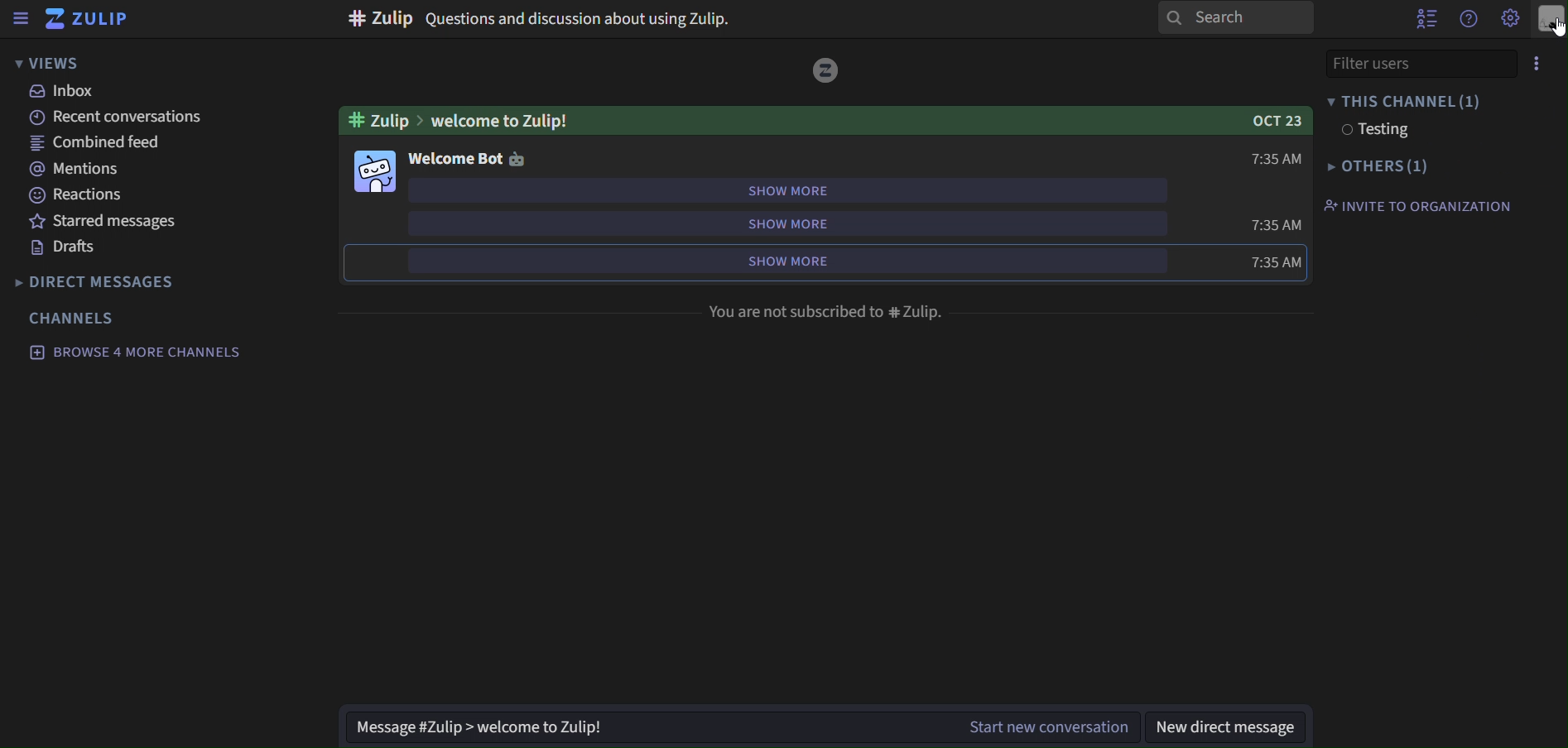 This screenshot has height=748, width=1568. What do you see at coordinates (827, 311) in the screenshot?
I see `You are not subscribed to #Zulip` at bounding box center [827, 311].